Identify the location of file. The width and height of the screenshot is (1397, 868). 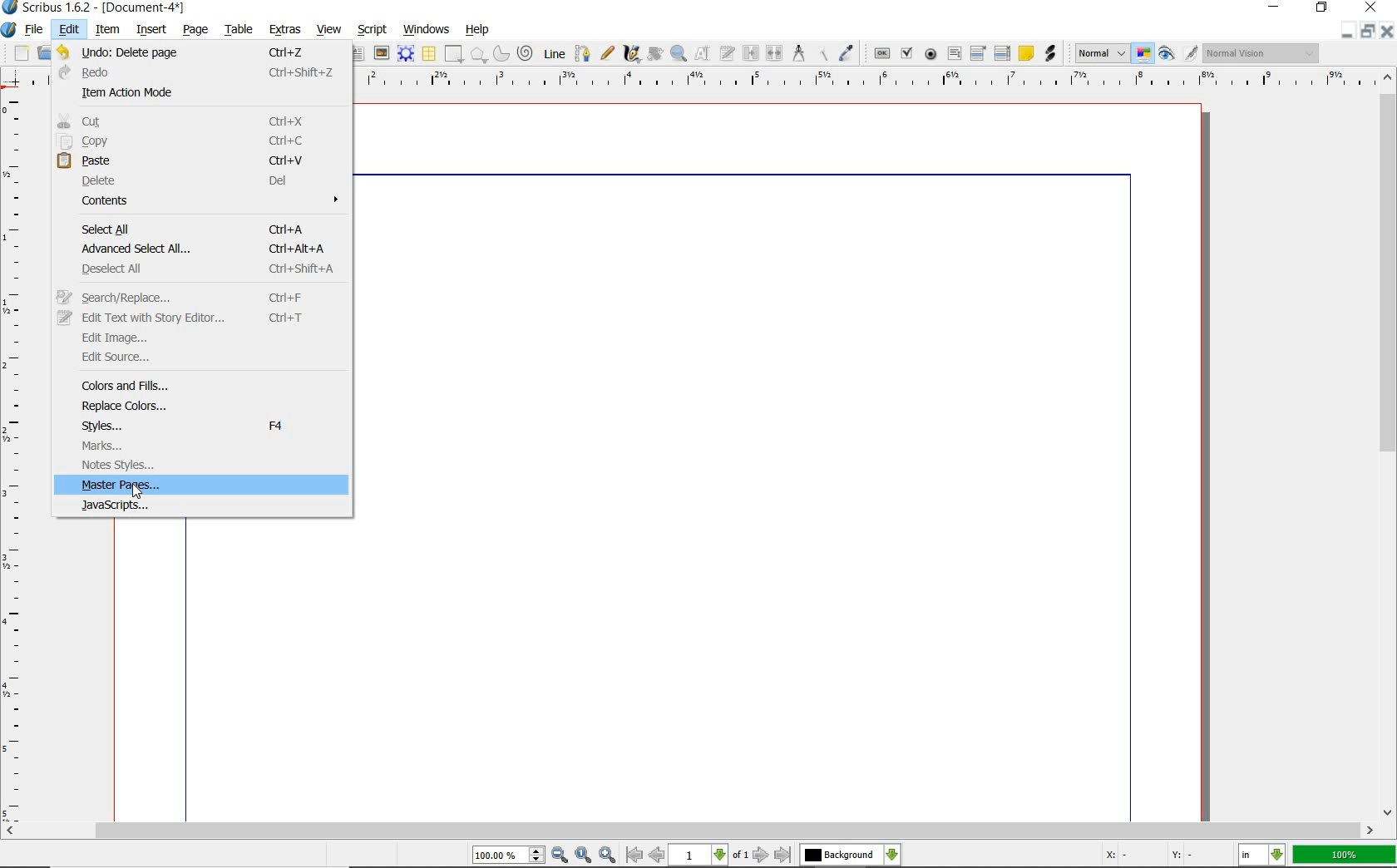
(35, 30).